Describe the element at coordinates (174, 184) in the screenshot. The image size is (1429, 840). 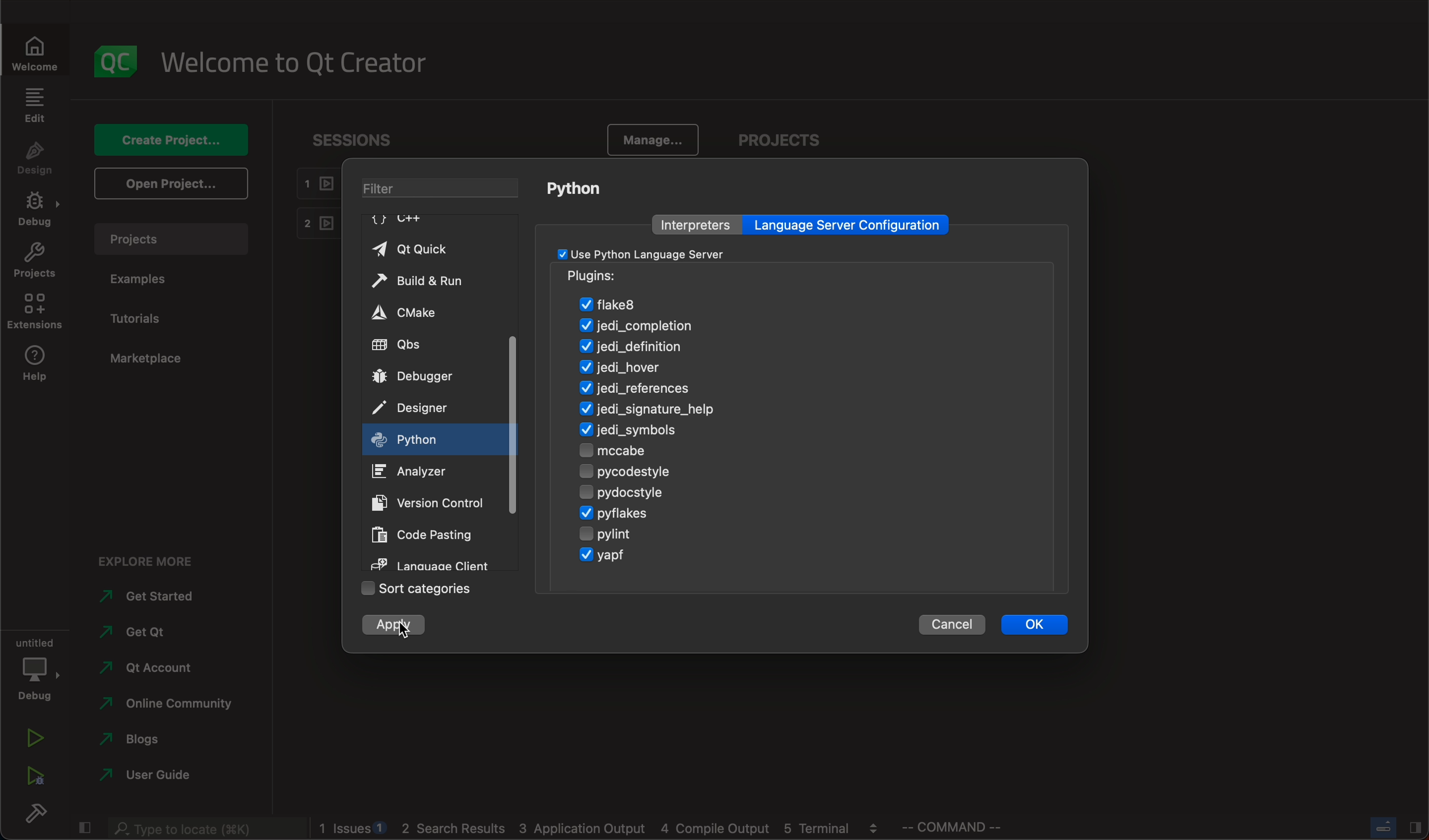
I see `open` at that location.